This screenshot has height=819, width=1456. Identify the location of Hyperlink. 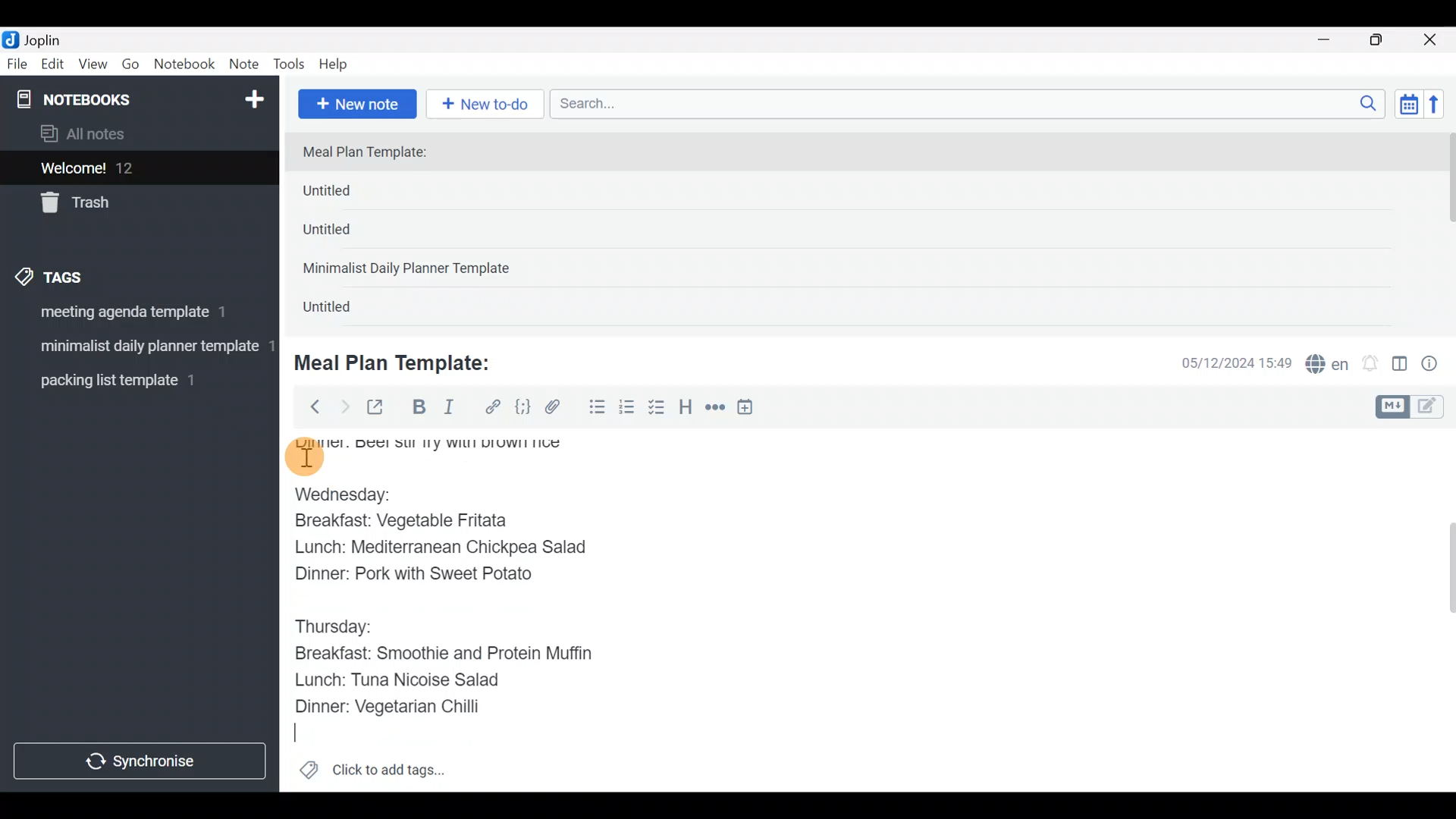
(493, 407).